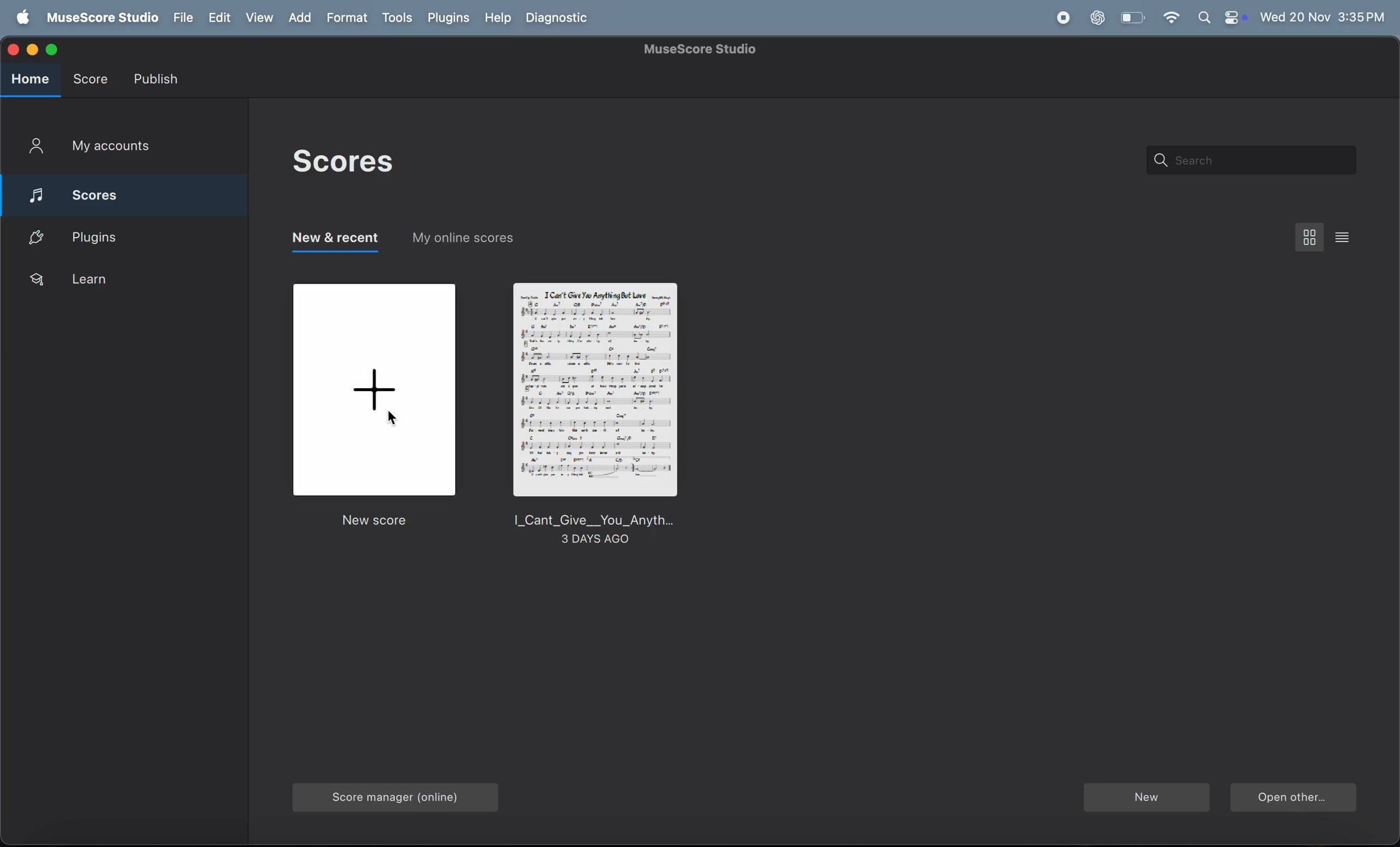 The width and height of the screenshot is (1400, 847). What do you see at coordinates (594, 417) in the screenshot?
I see `song score anything` at bounding box center [594, 417].